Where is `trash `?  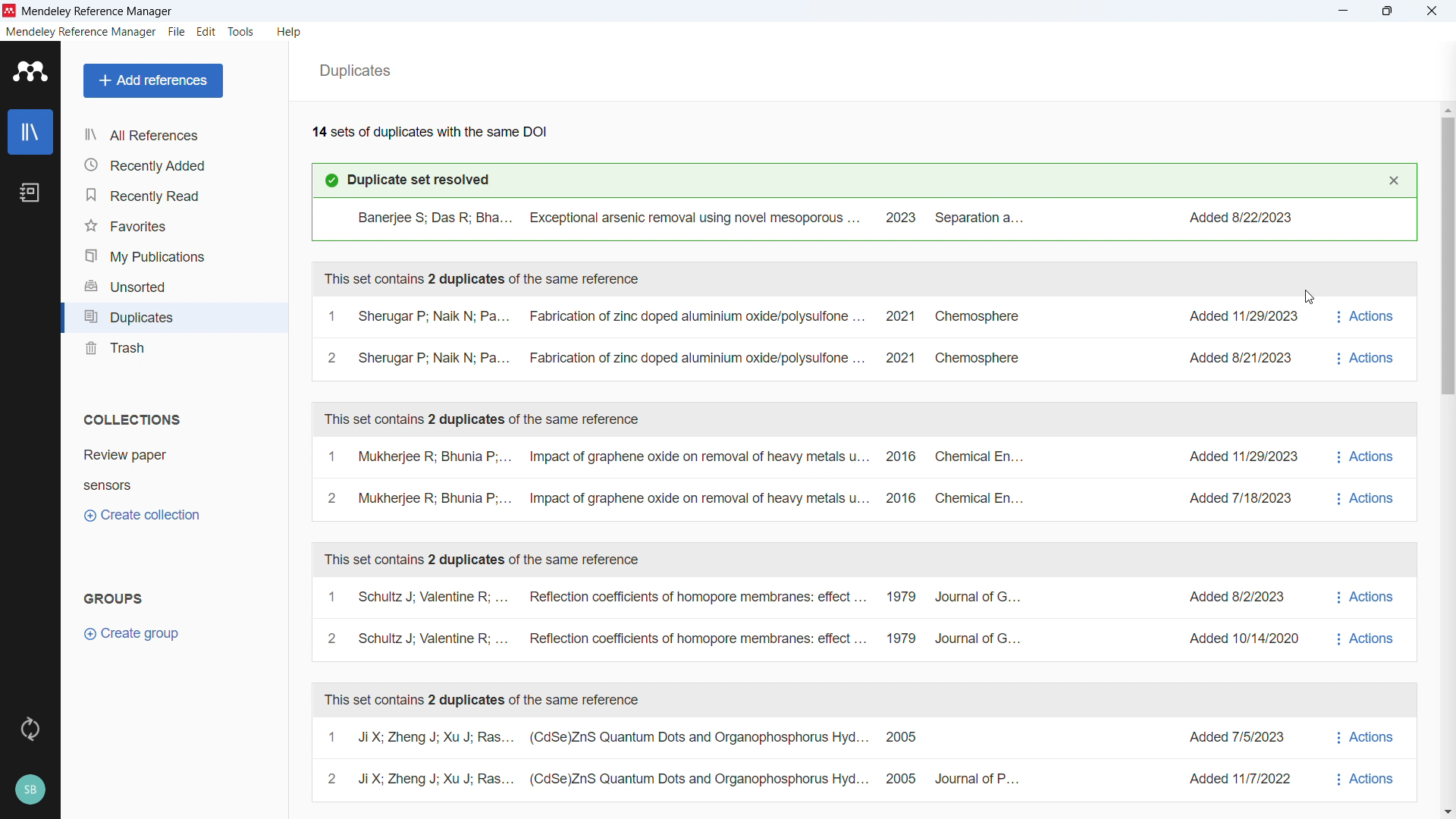 trash  is located at coordinates (173, 350).